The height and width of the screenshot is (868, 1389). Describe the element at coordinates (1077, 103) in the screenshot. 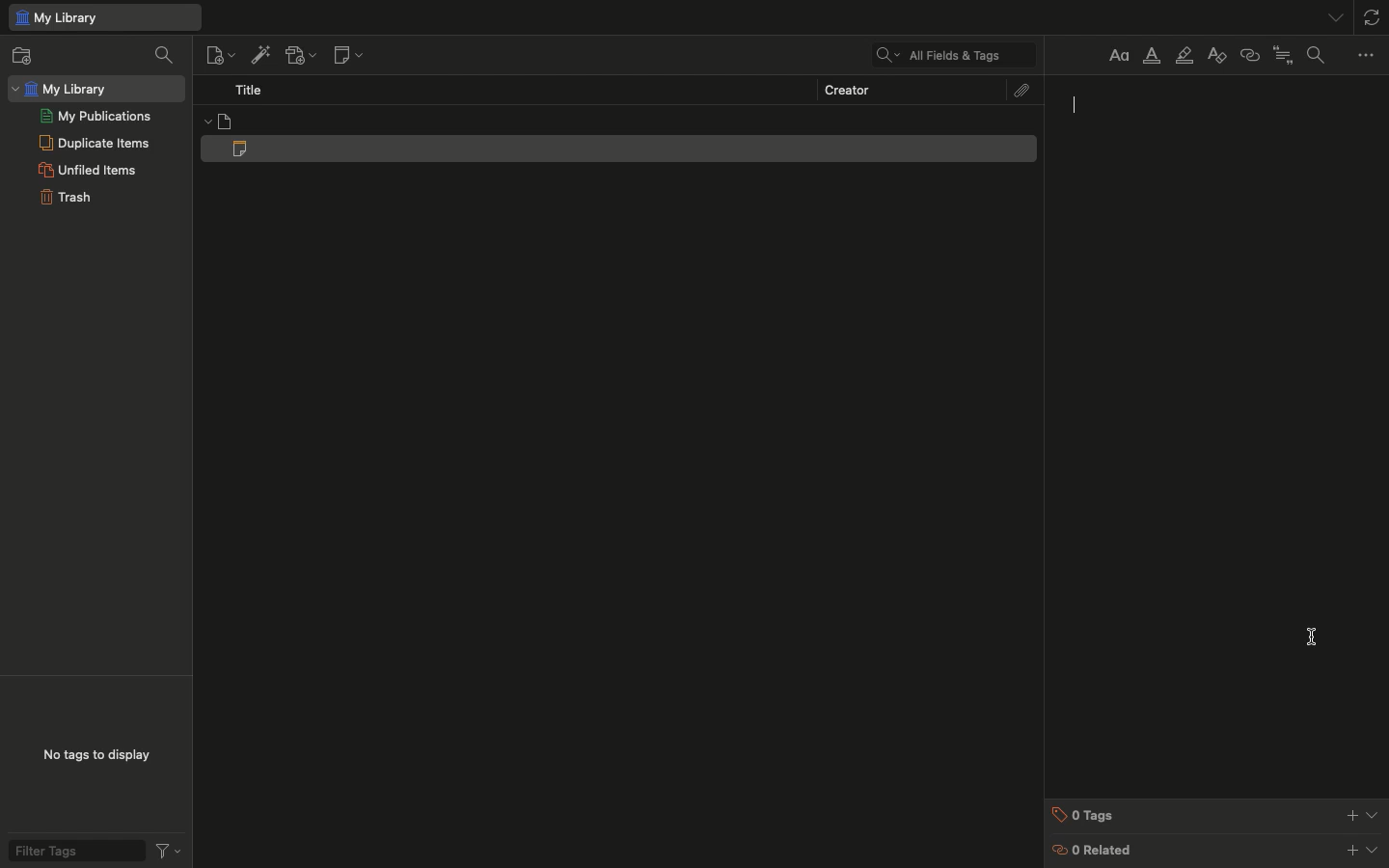

I see `cursor` at that location.